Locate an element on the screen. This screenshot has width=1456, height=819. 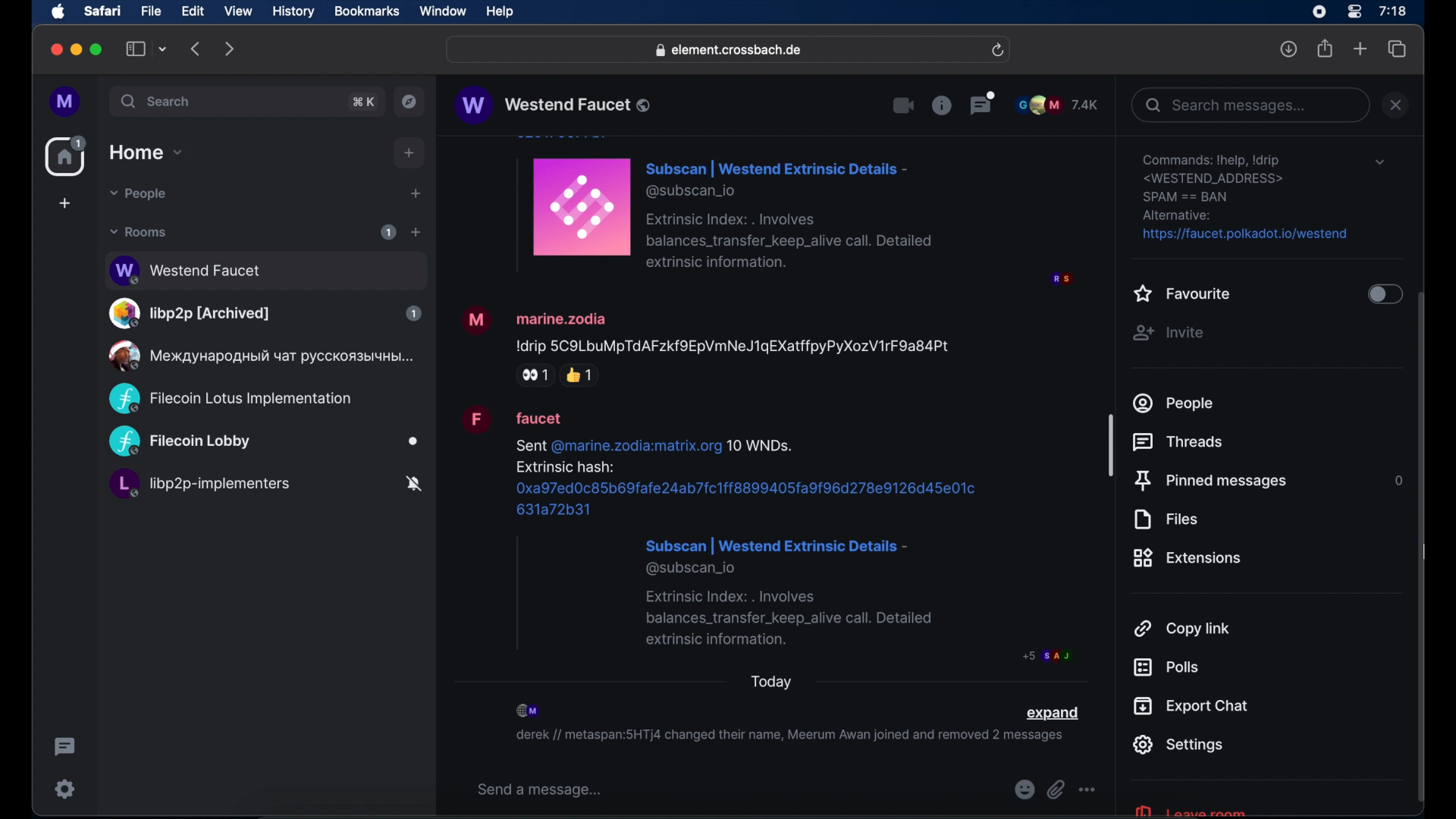
scroll box is located at coordinates (1111, 444).